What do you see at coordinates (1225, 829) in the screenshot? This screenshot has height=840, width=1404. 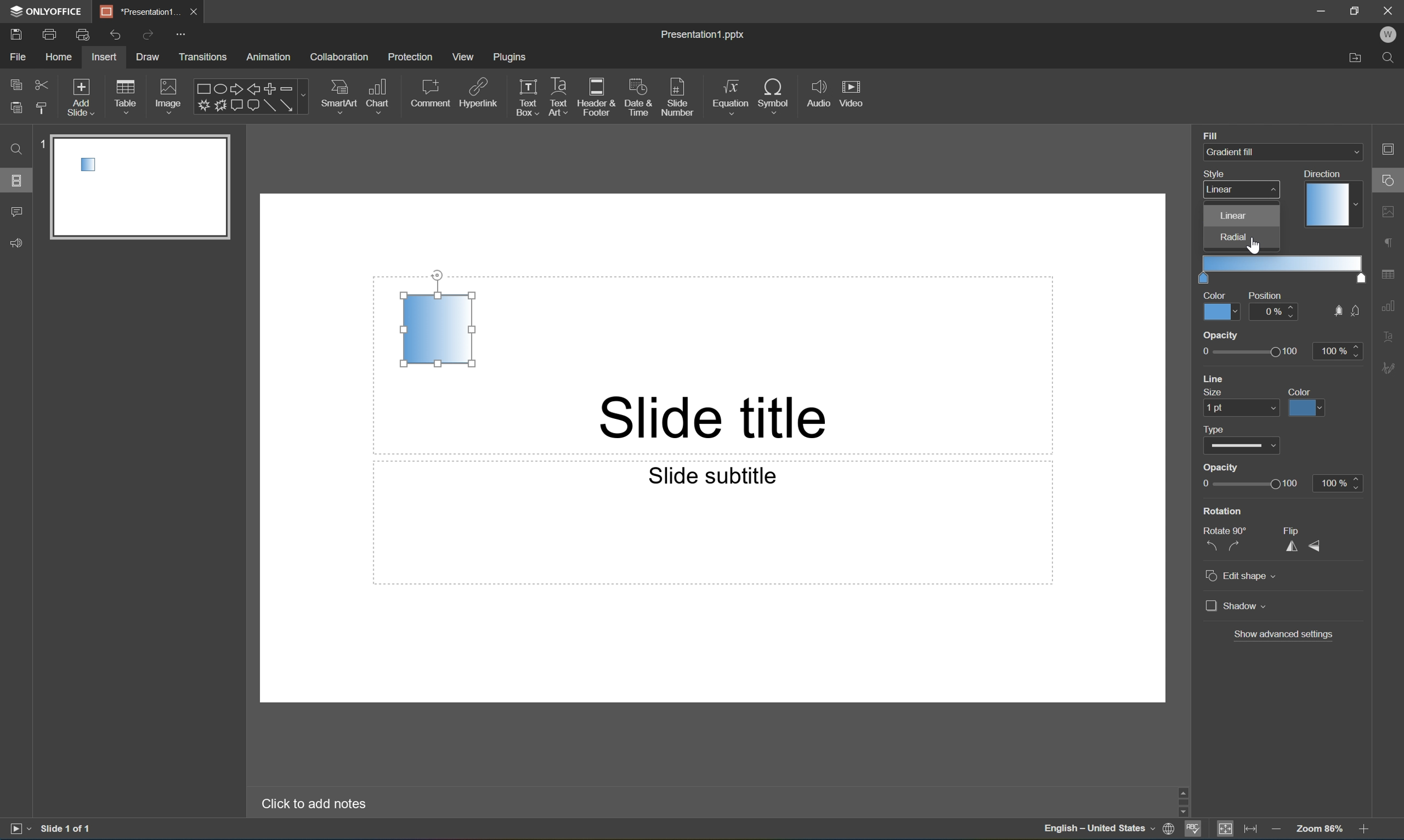 I see `Fit to slide` at bounding box center [1225, 829].